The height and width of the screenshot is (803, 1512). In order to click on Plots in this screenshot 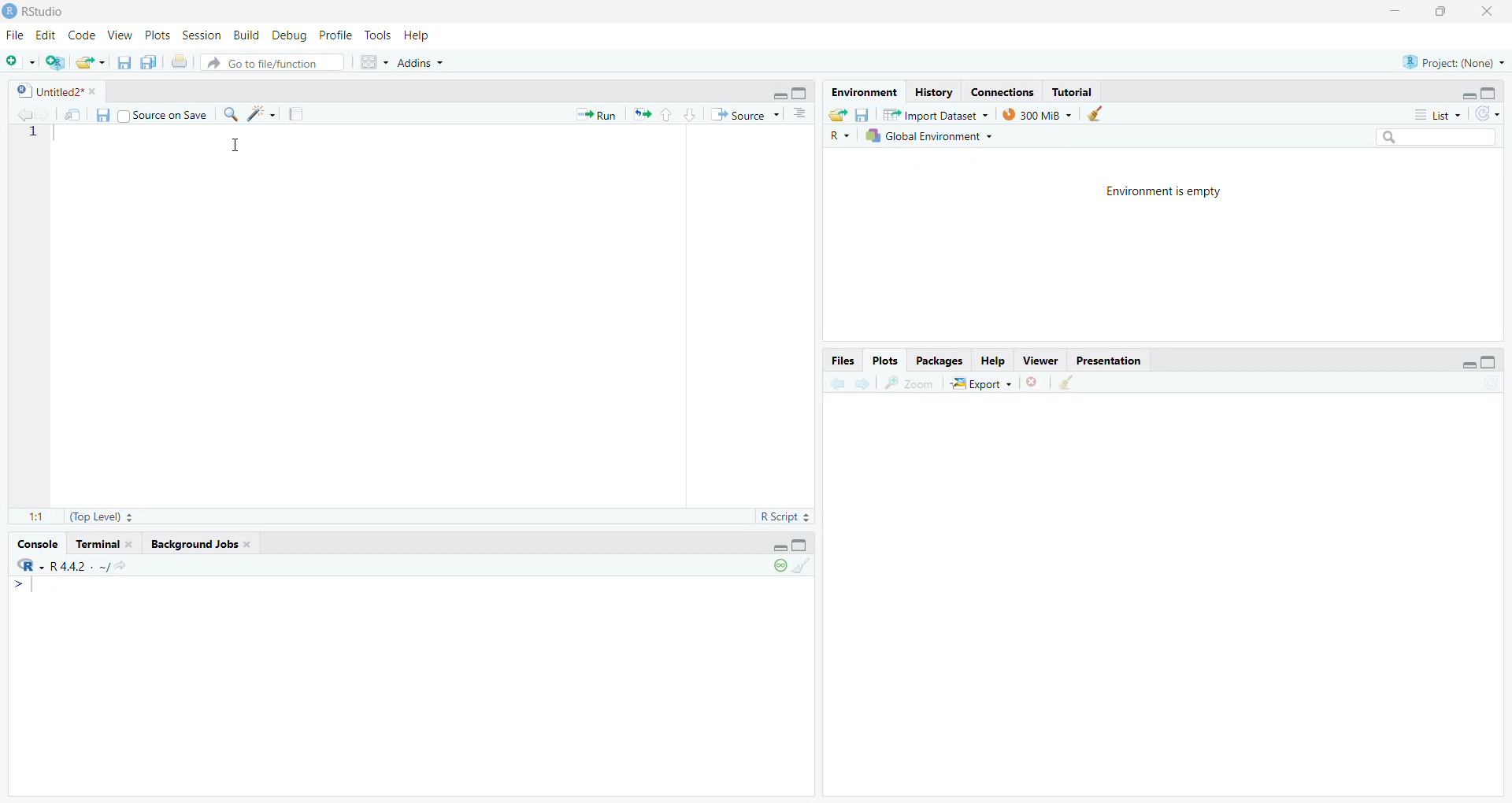, I will do `click(883, 361)`.